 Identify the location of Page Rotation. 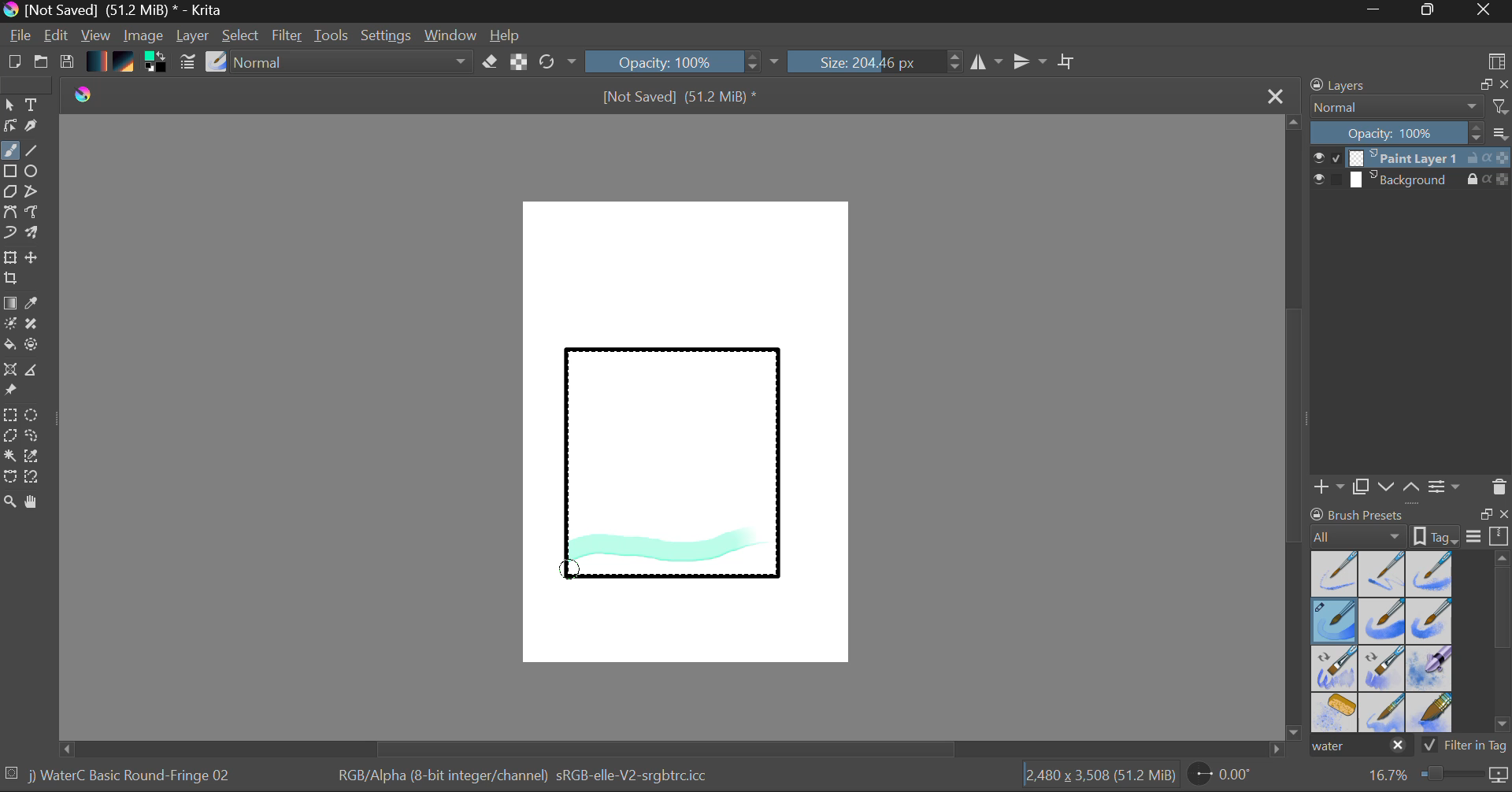
(1228, 777).